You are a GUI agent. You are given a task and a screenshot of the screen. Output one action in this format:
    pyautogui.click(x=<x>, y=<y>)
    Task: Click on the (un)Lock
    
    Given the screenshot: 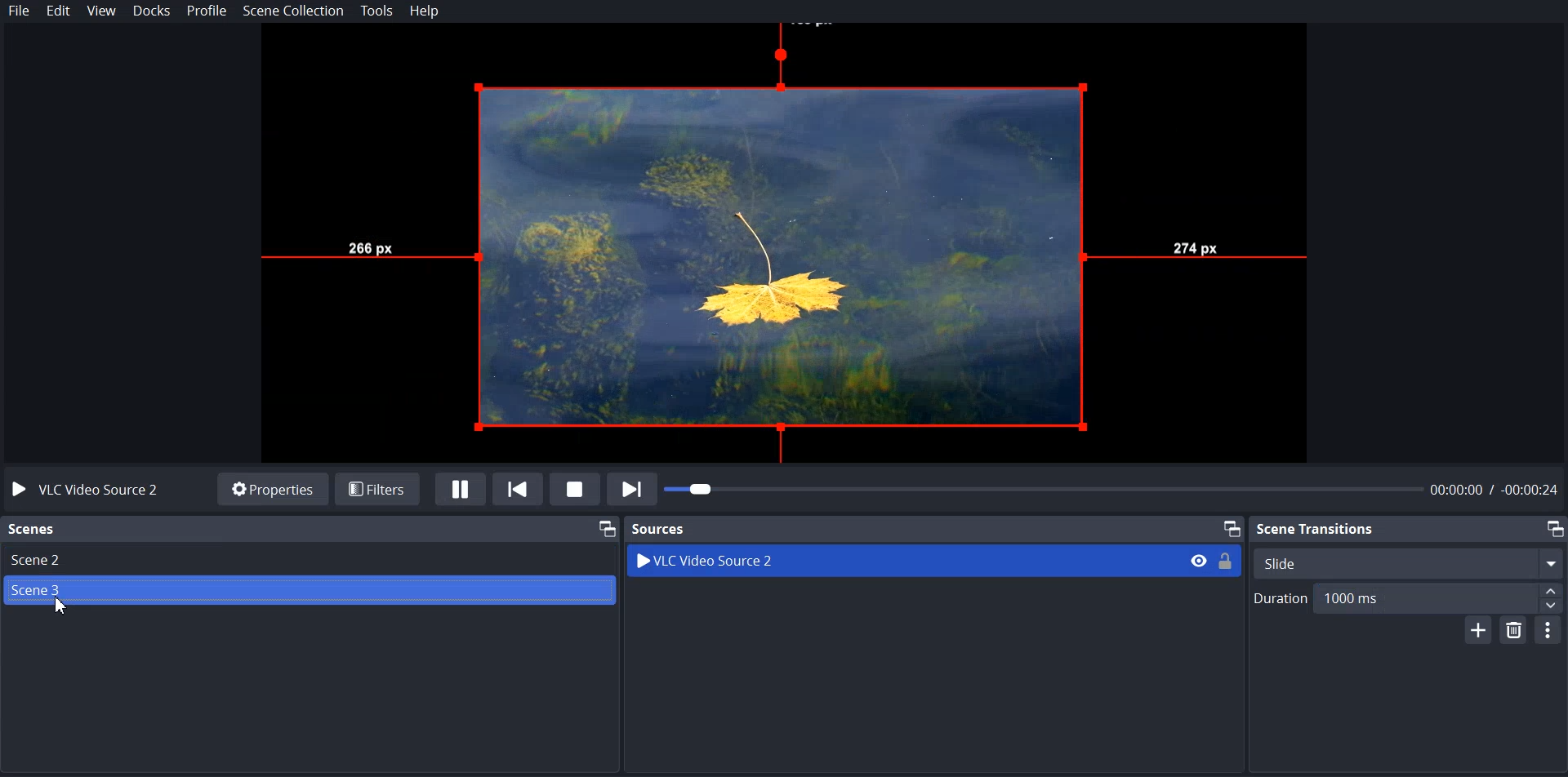 What is the action you would take?
    pyautogui.click(x=1227, y=560)
    